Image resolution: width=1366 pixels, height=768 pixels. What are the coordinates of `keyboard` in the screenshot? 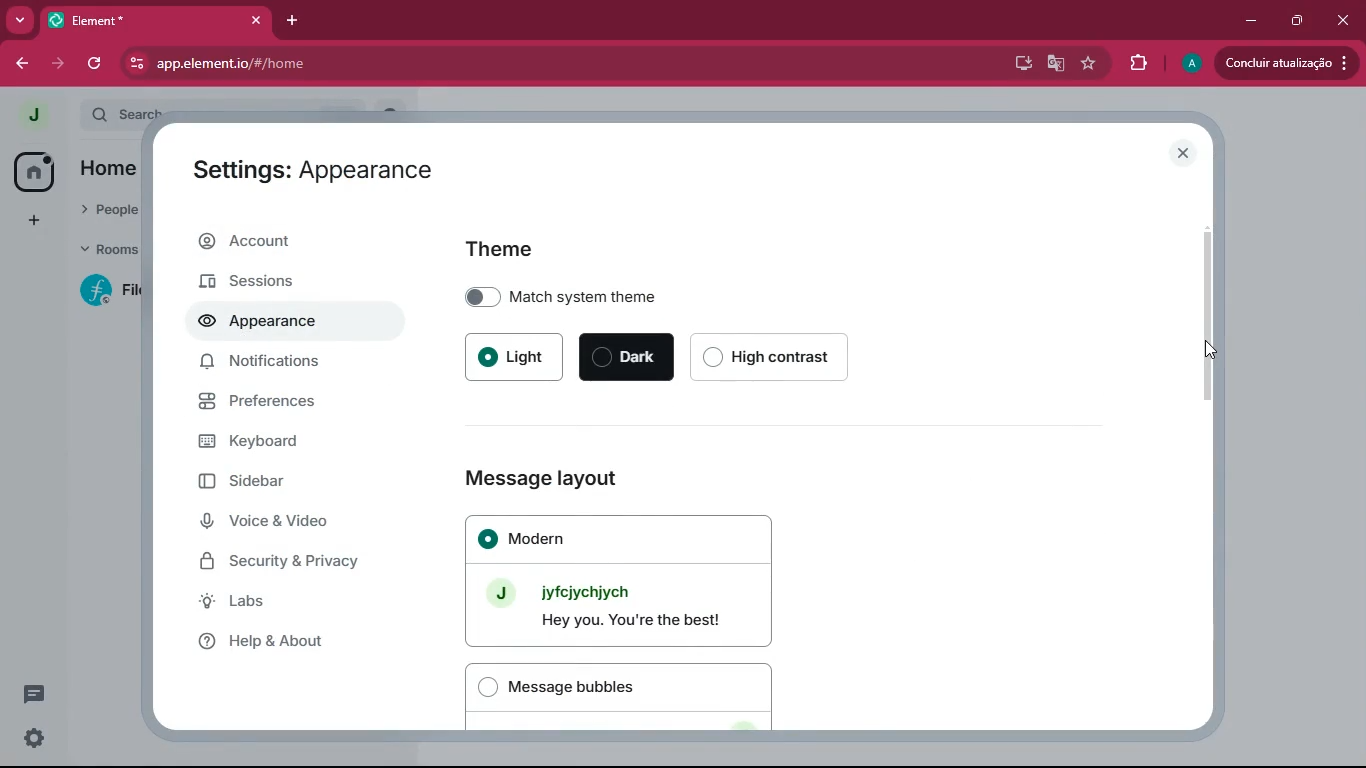 It's located at (283, 443).